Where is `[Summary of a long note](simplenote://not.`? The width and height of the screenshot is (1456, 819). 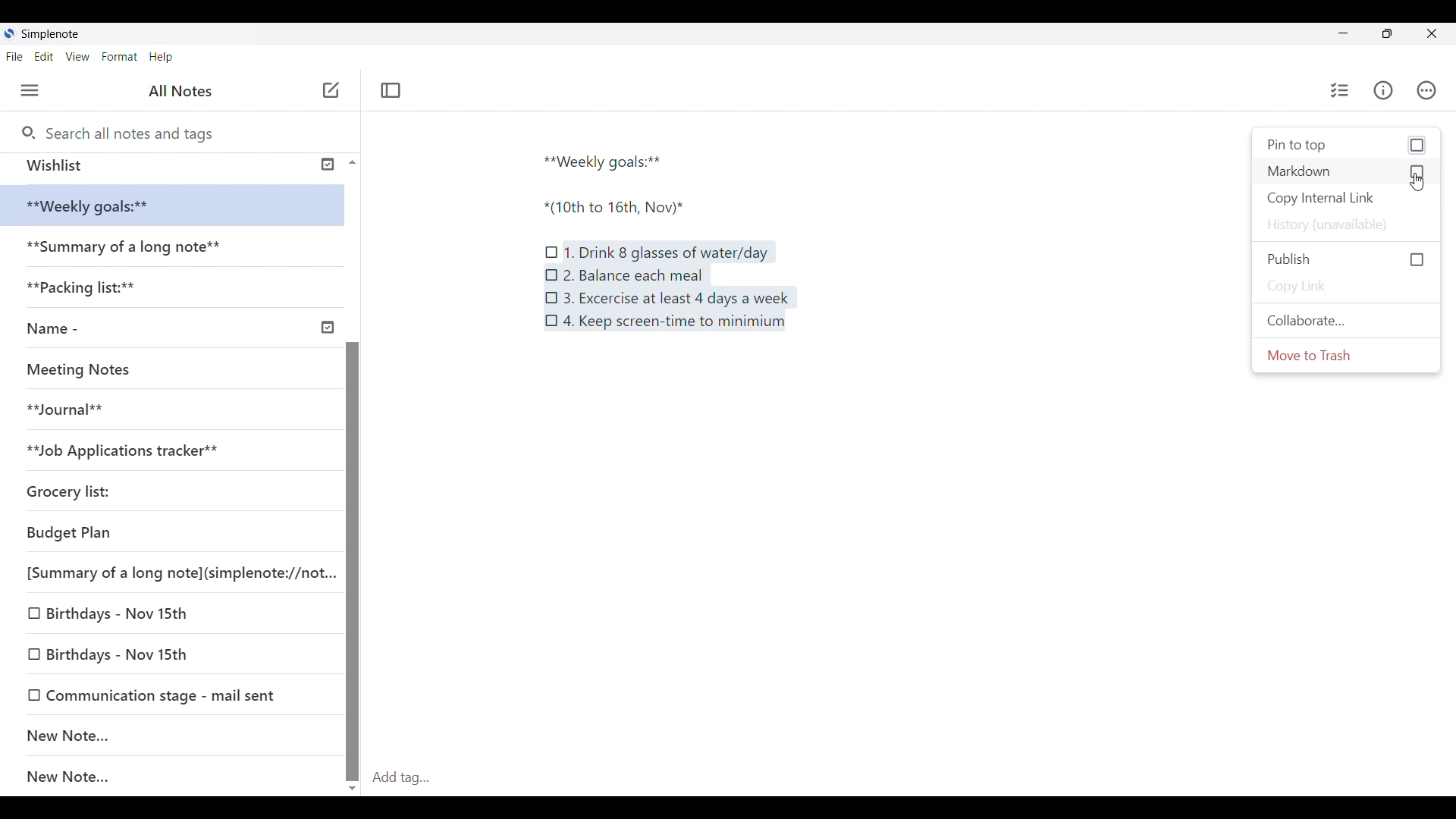
[Summary of a long note](simplenote://not. is located at coordinates (171, 572).